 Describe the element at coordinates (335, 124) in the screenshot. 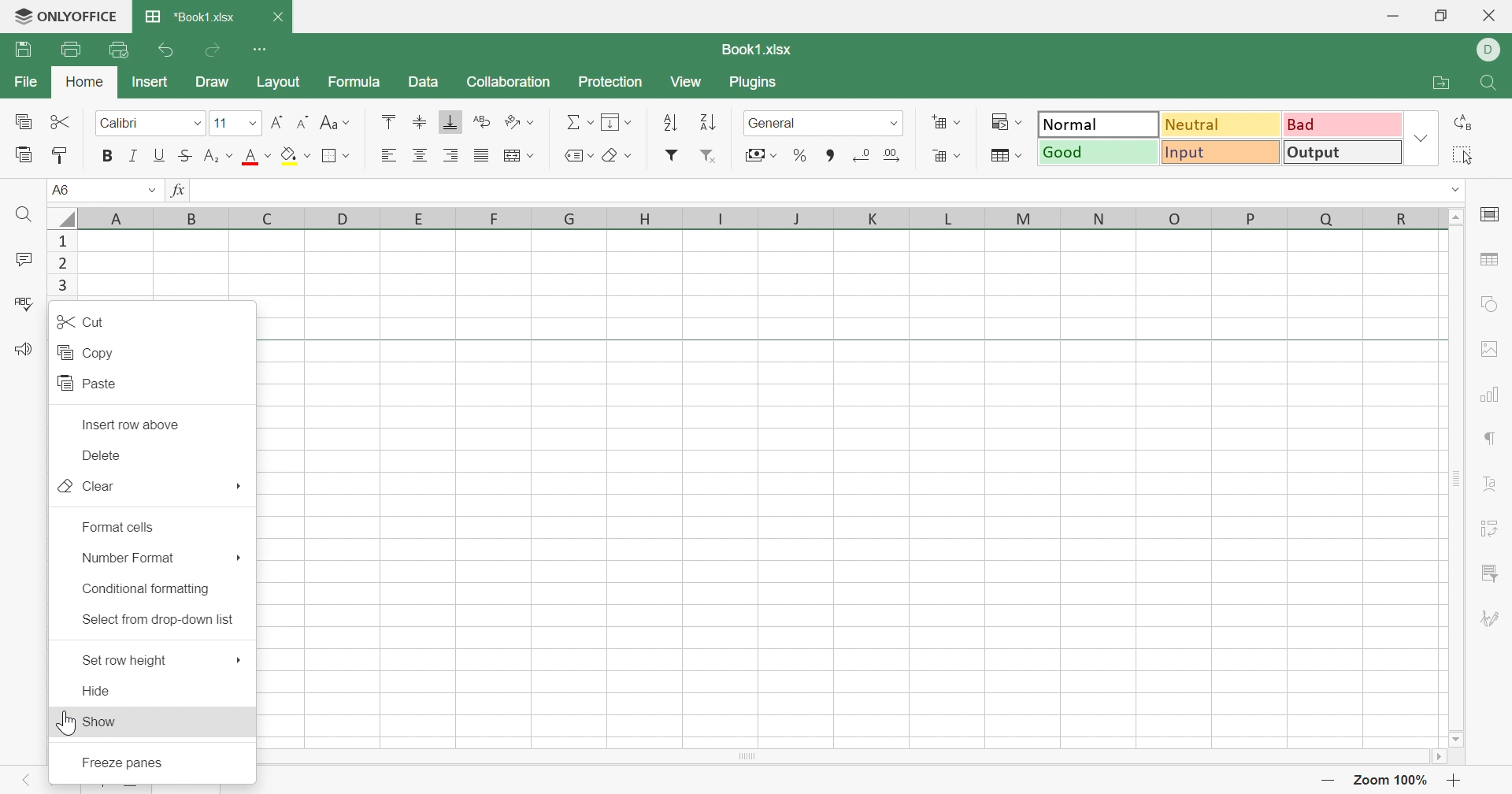

I see `Change case` at that location.